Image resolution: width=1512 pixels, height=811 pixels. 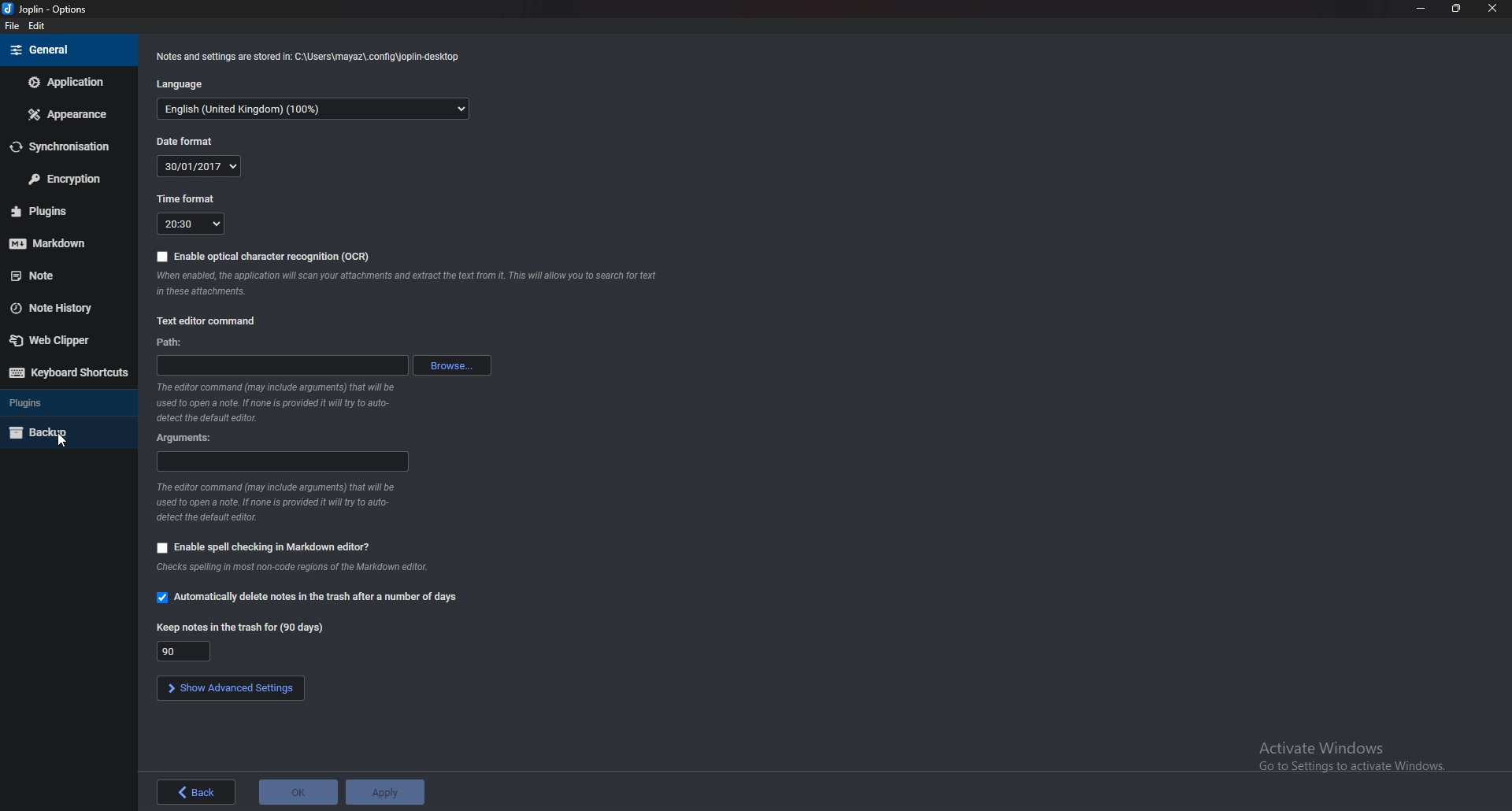 I want to click on General, so click(x=65, y=50).